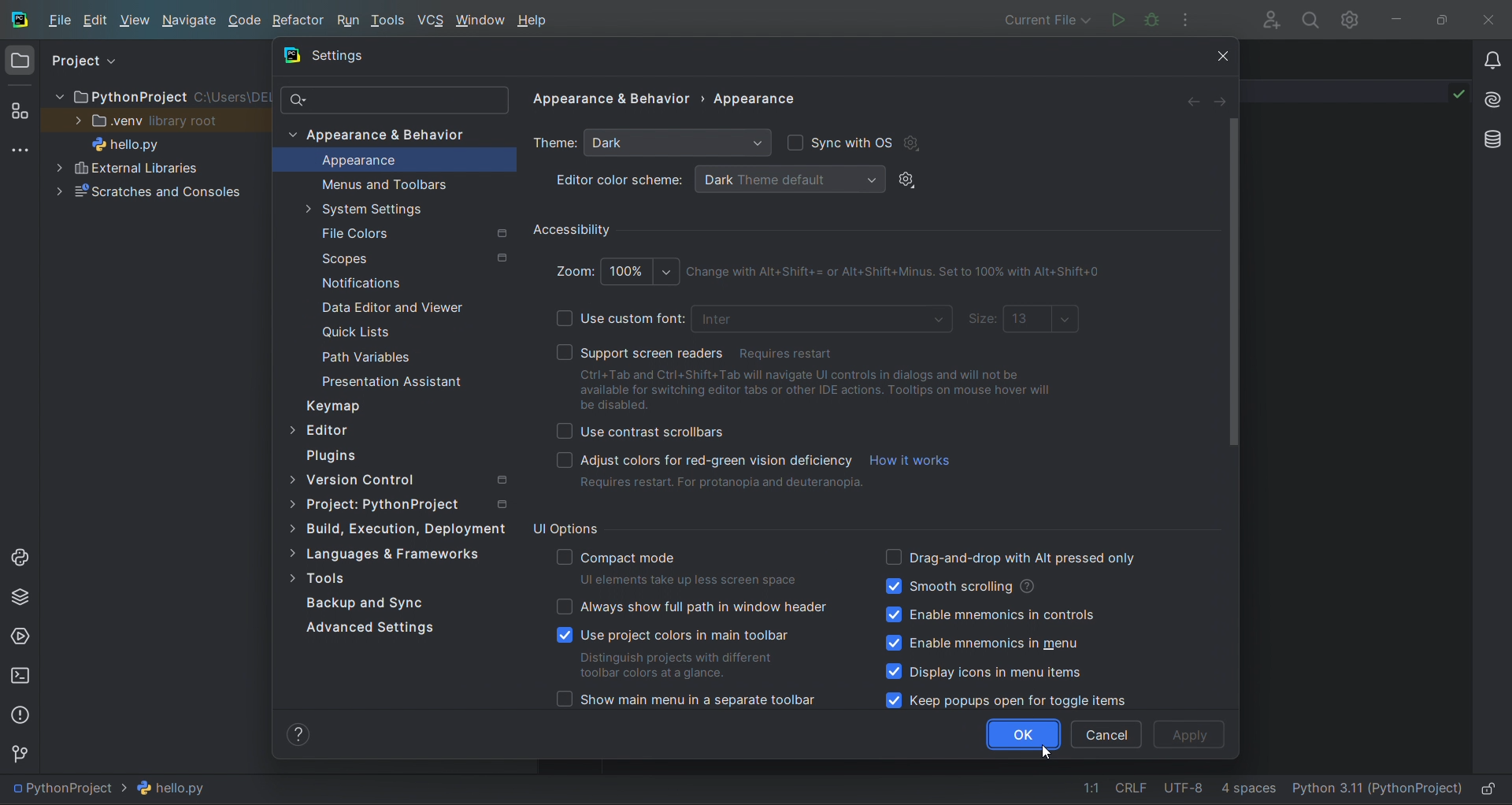 Image resolution: width=1512 pixels, height=805 pixels. I want to click on terminal, so click(20, 677).